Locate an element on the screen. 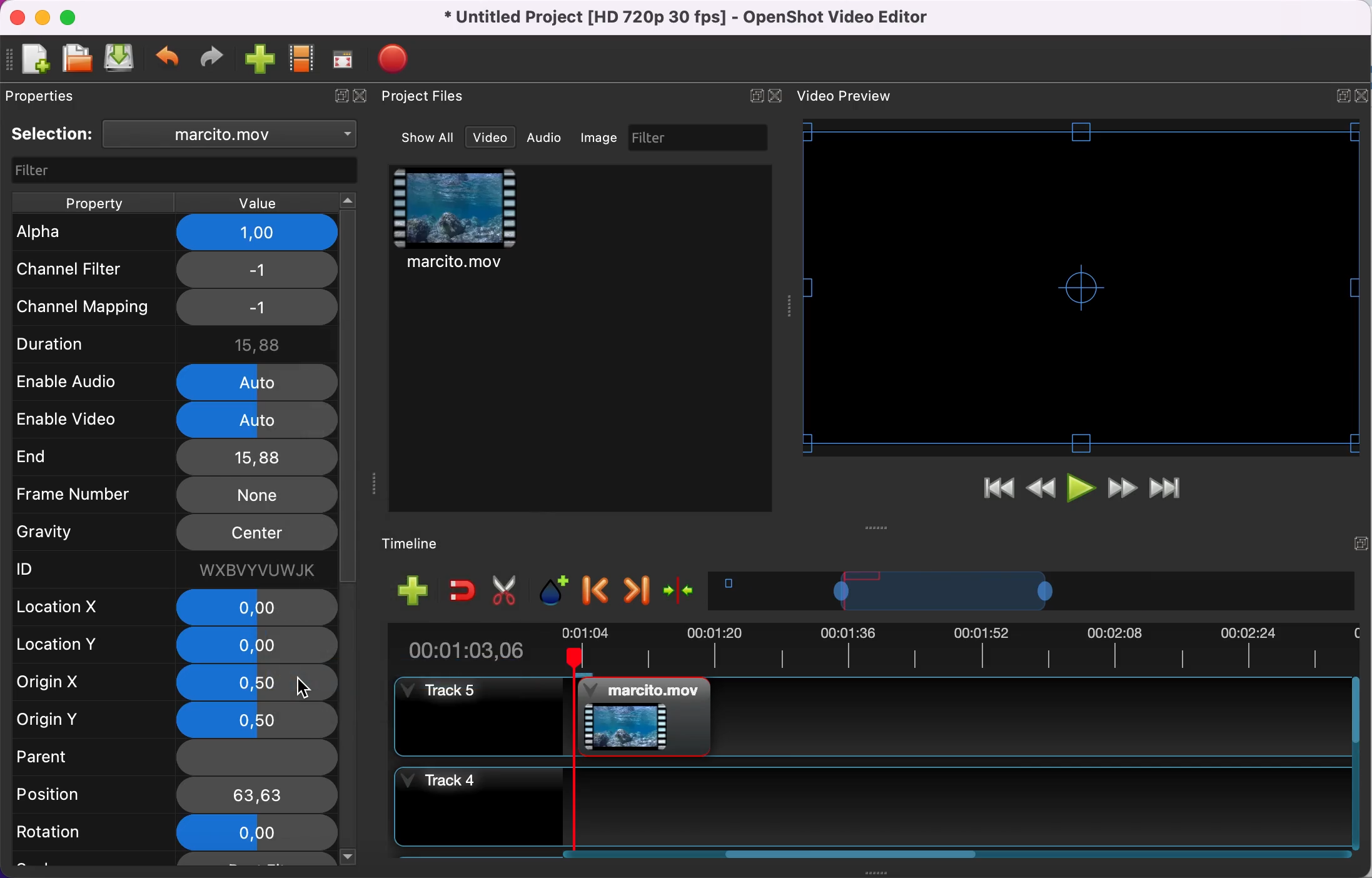 Image resolution: width=1372 pixels, height=878 pixels. project files is located at coordinates (425, 97).